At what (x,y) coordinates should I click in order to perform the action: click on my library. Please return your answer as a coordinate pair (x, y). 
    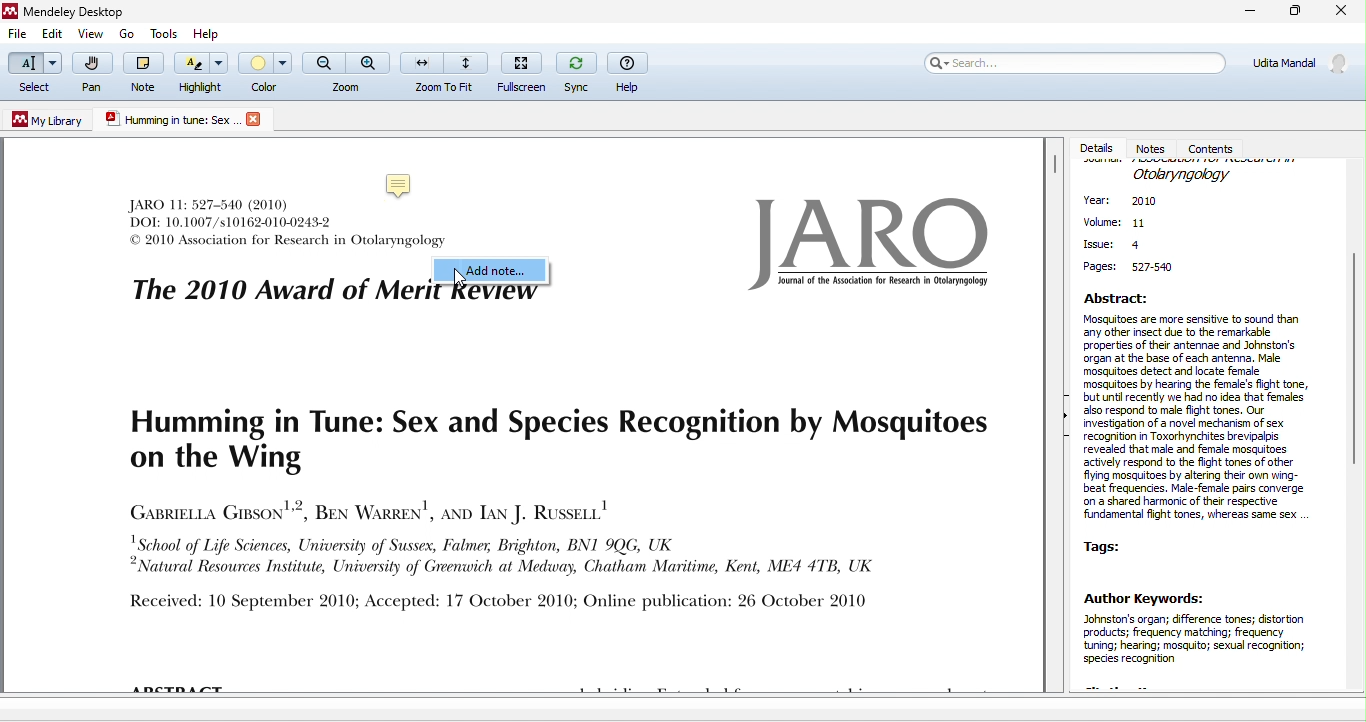
    Looking at the image, I should click on (49, 120).